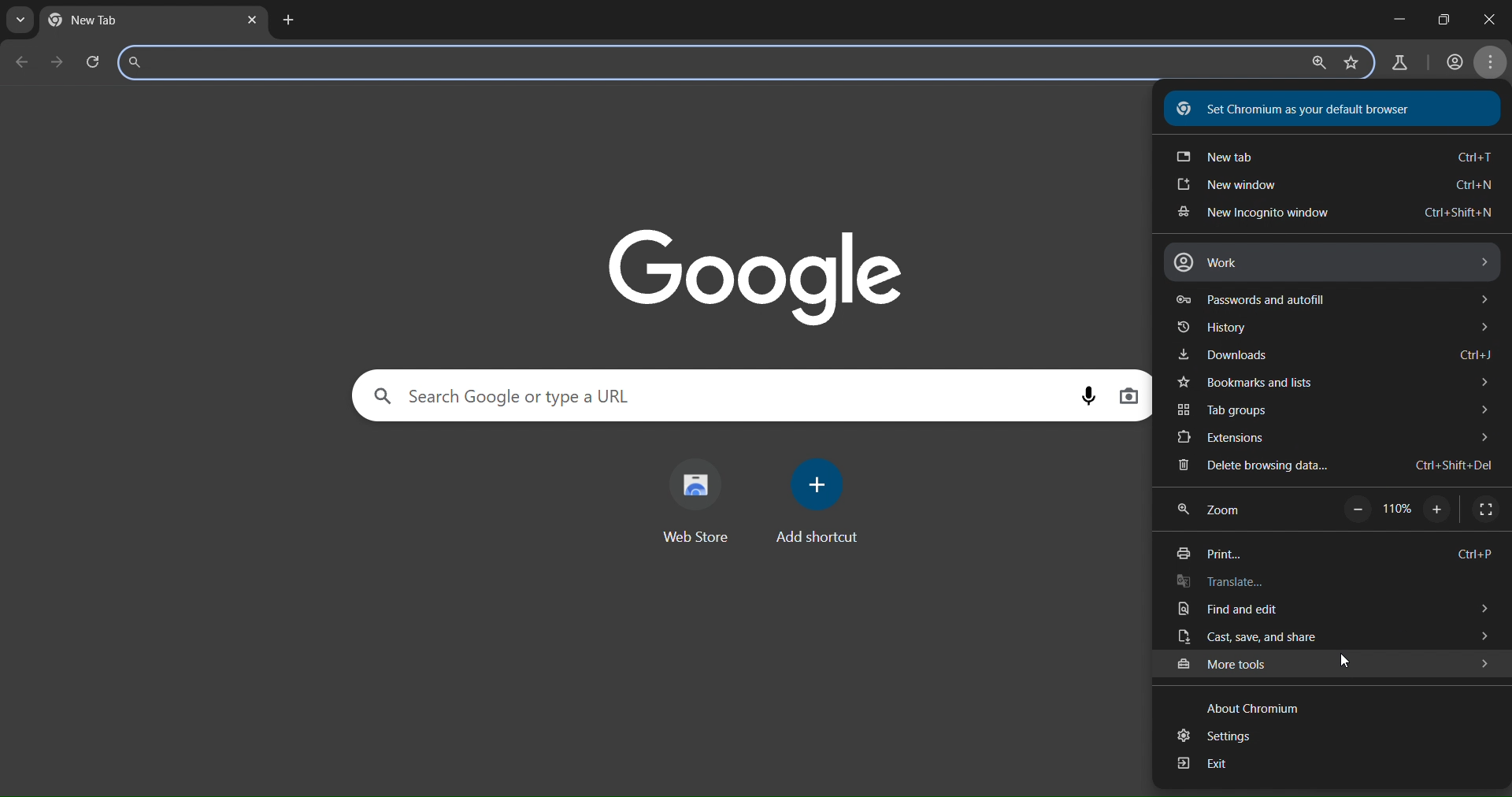 The height and width of the screenshot is (797, 1512). I want to click on go back onne page, so click(20, 61).